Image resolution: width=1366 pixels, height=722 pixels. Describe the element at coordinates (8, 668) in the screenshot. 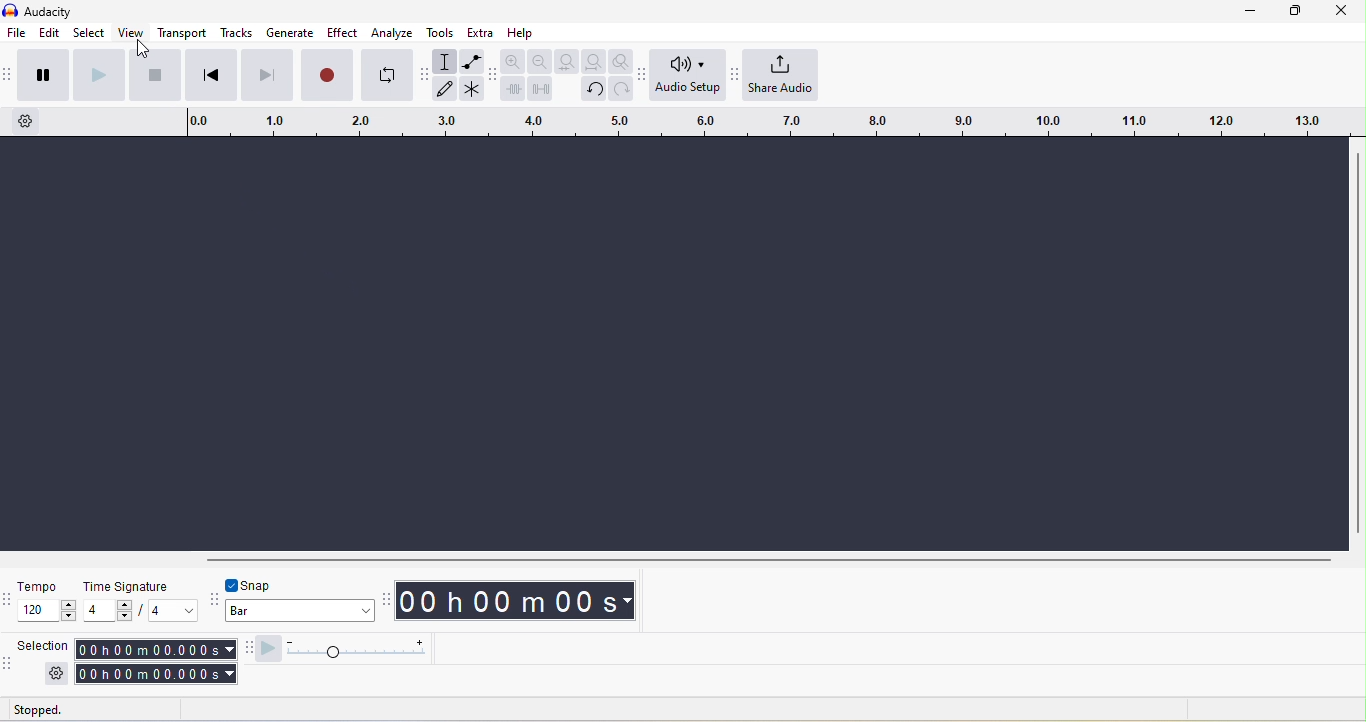

I see `selection toolbar` at that location.